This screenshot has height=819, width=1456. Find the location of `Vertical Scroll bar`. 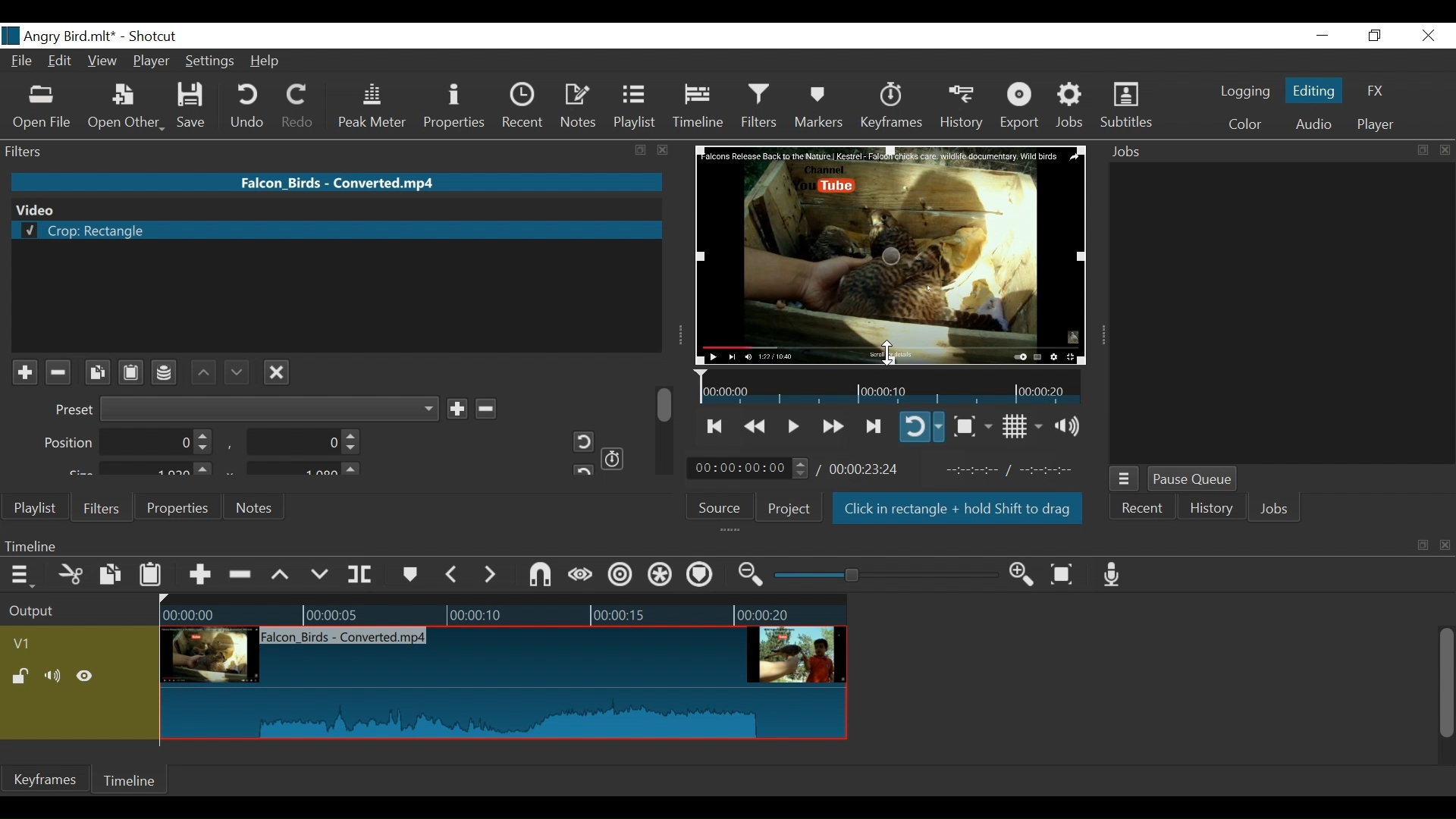

Vertical Scroll bar is located at coordinates (1445, 685).